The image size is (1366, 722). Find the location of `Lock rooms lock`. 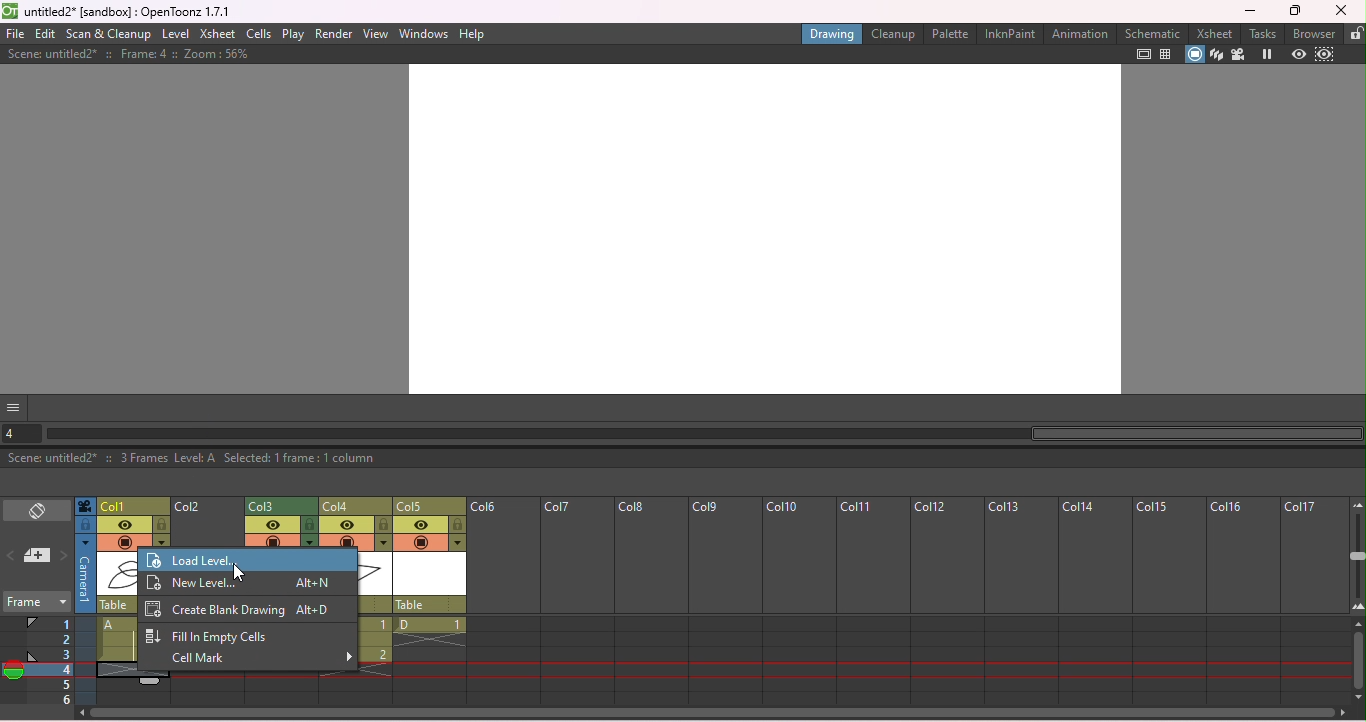

Lock rooms lock is located at coordinates (1355, 33).